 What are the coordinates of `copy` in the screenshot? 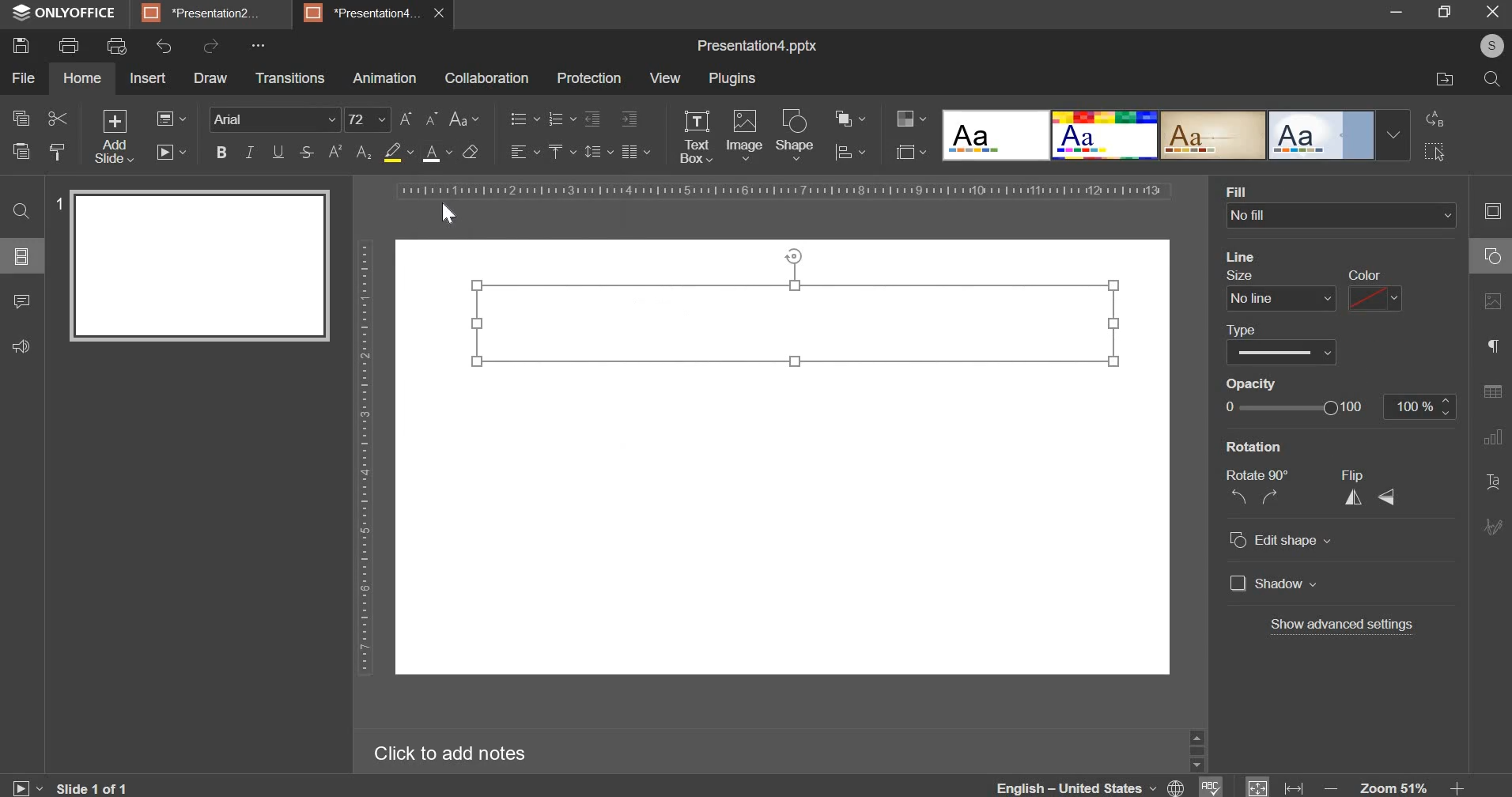 It's located at (21, 121).